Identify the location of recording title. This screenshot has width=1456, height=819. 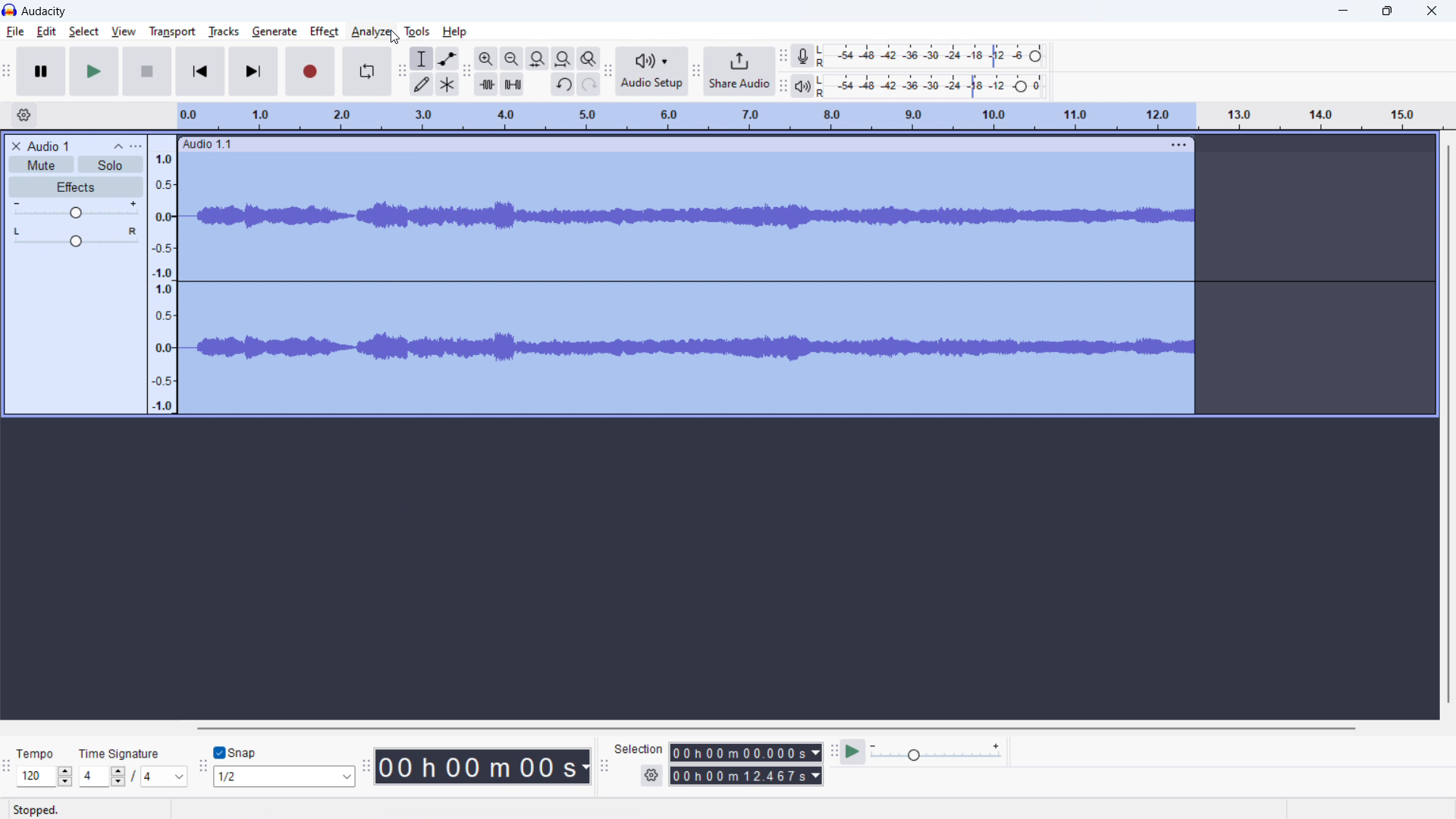
(49, 146).